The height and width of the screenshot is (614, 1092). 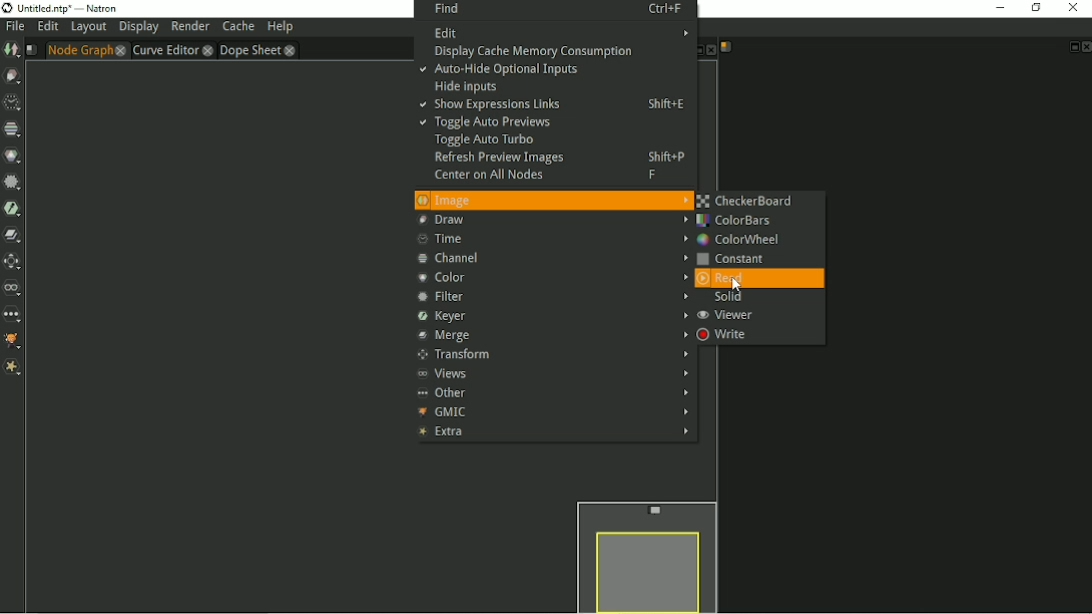 What do you see at coordinates (13, 76) in the screenshot?
I see `Draw` at bounding box center [13, 76].